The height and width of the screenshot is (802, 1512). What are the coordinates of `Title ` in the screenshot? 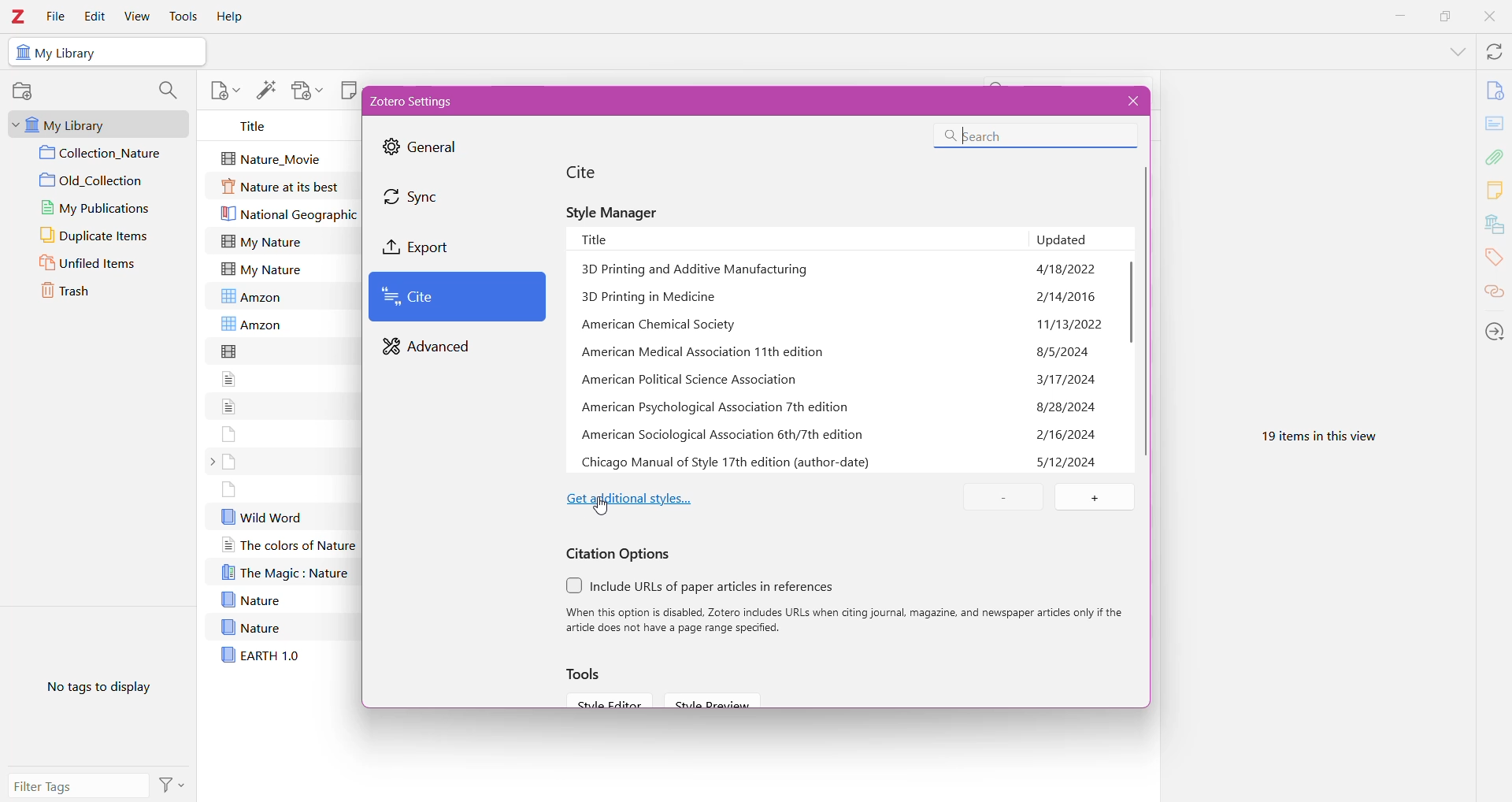 It's located at (258, 126).